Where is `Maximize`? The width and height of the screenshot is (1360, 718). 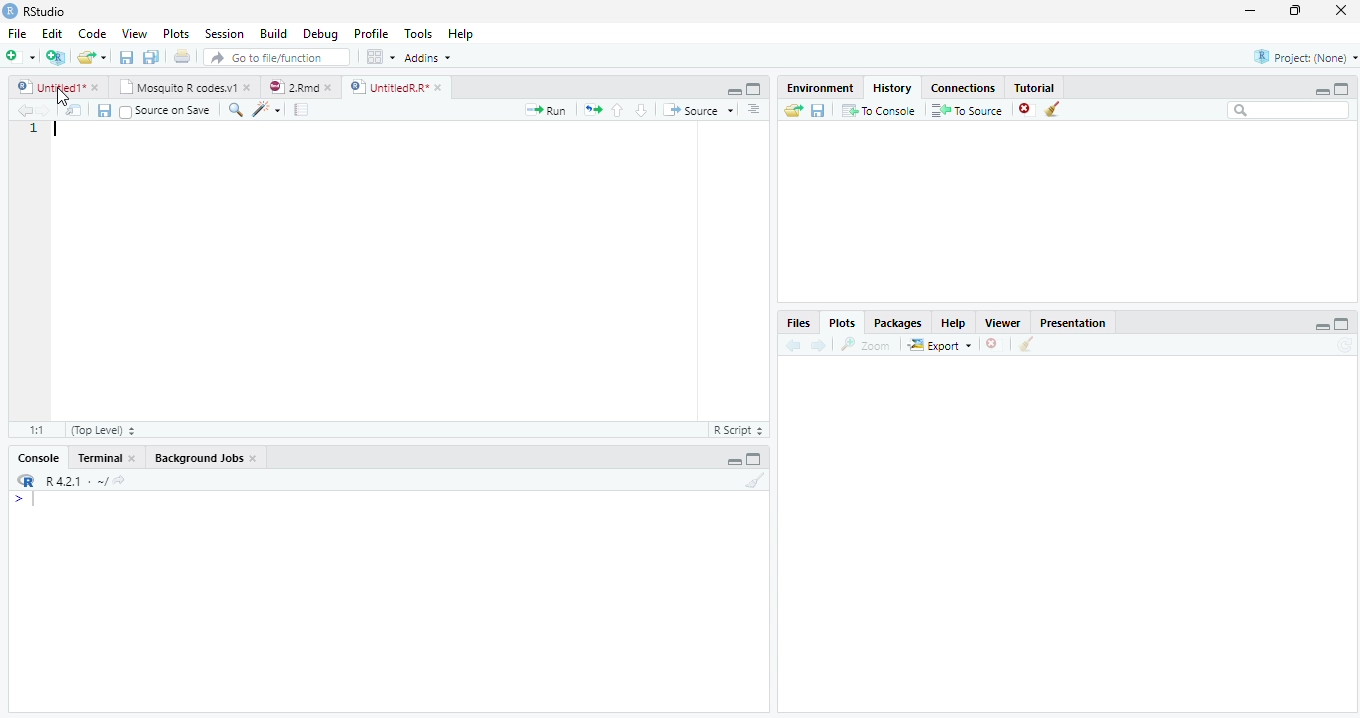
Maximize is located at coordinates (753, 90).